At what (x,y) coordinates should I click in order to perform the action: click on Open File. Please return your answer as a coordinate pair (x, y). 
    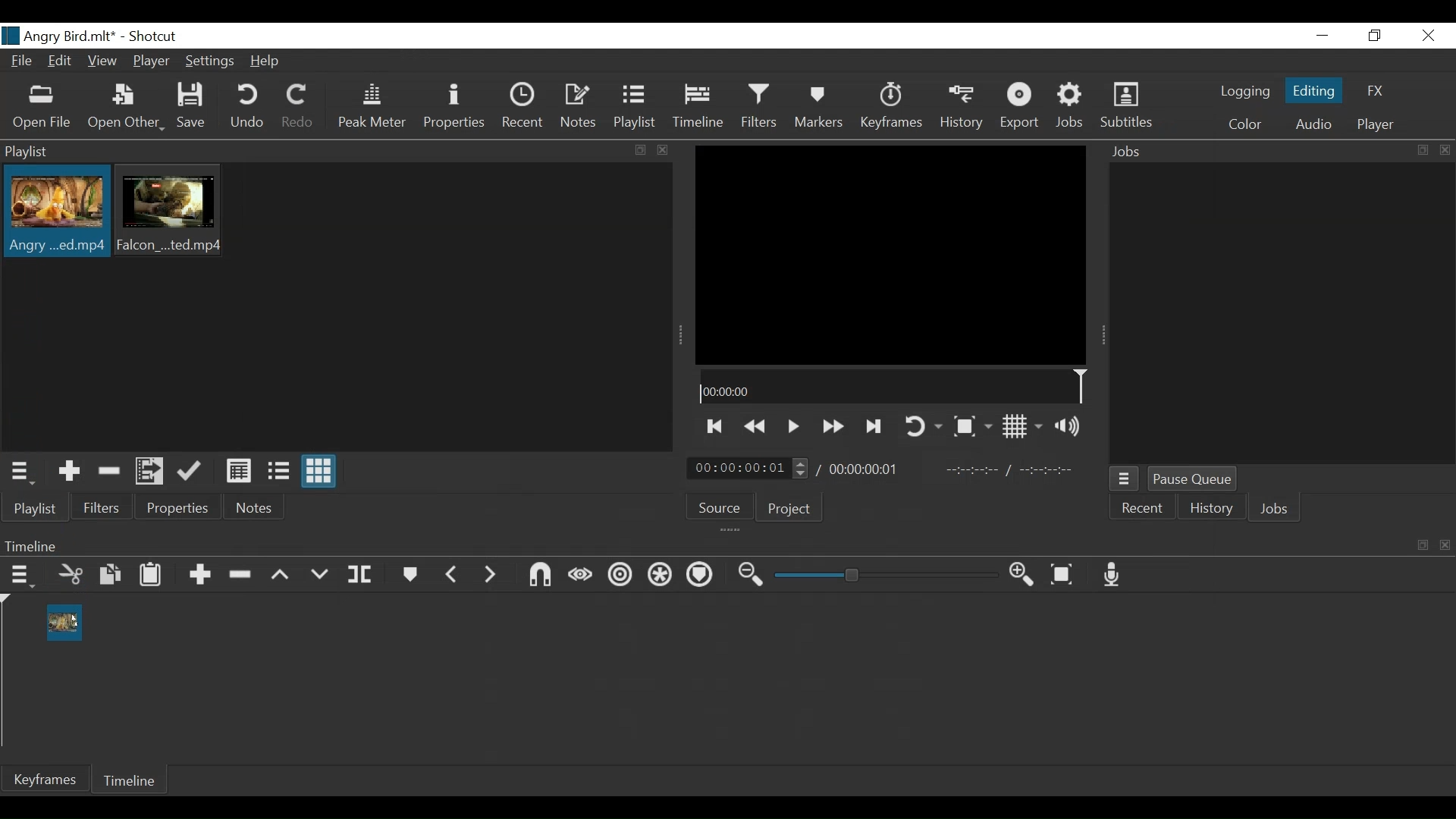
    Looking at the image, I should click on (42, 106).